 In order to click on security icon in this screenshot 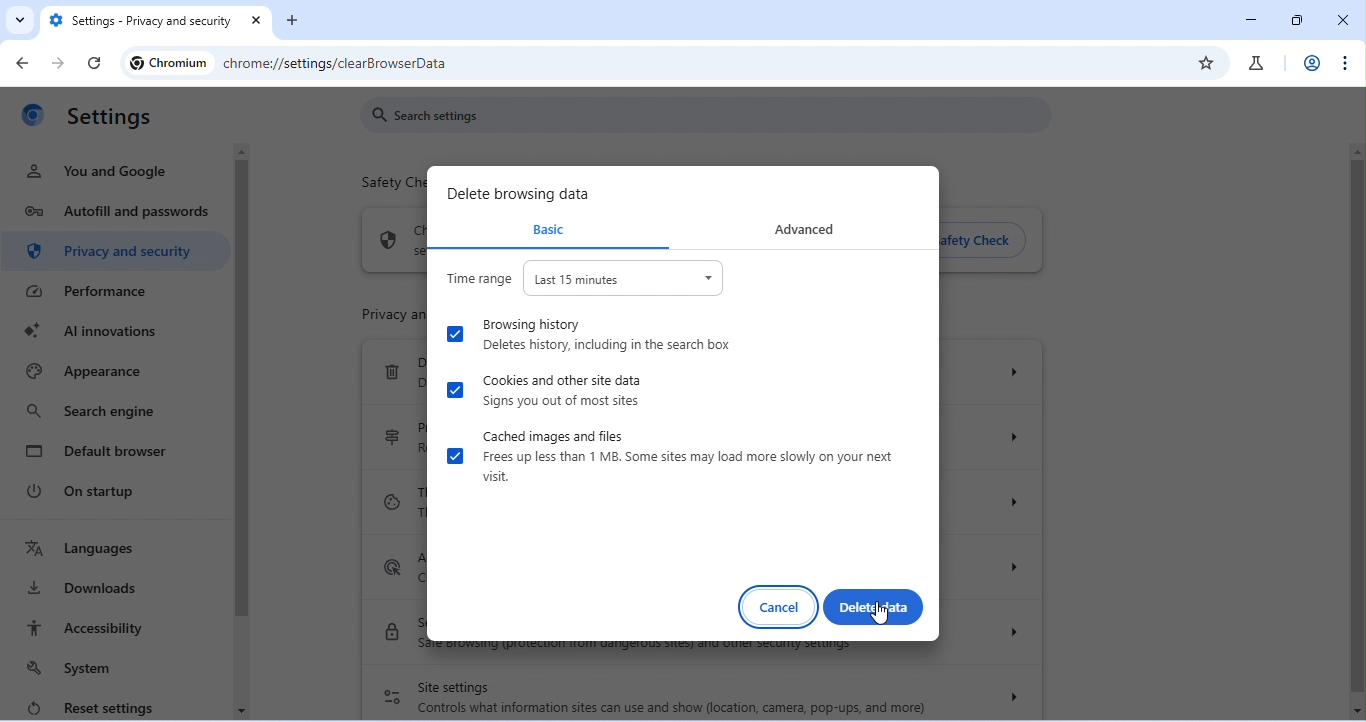, I will do `click(392, 630)`.